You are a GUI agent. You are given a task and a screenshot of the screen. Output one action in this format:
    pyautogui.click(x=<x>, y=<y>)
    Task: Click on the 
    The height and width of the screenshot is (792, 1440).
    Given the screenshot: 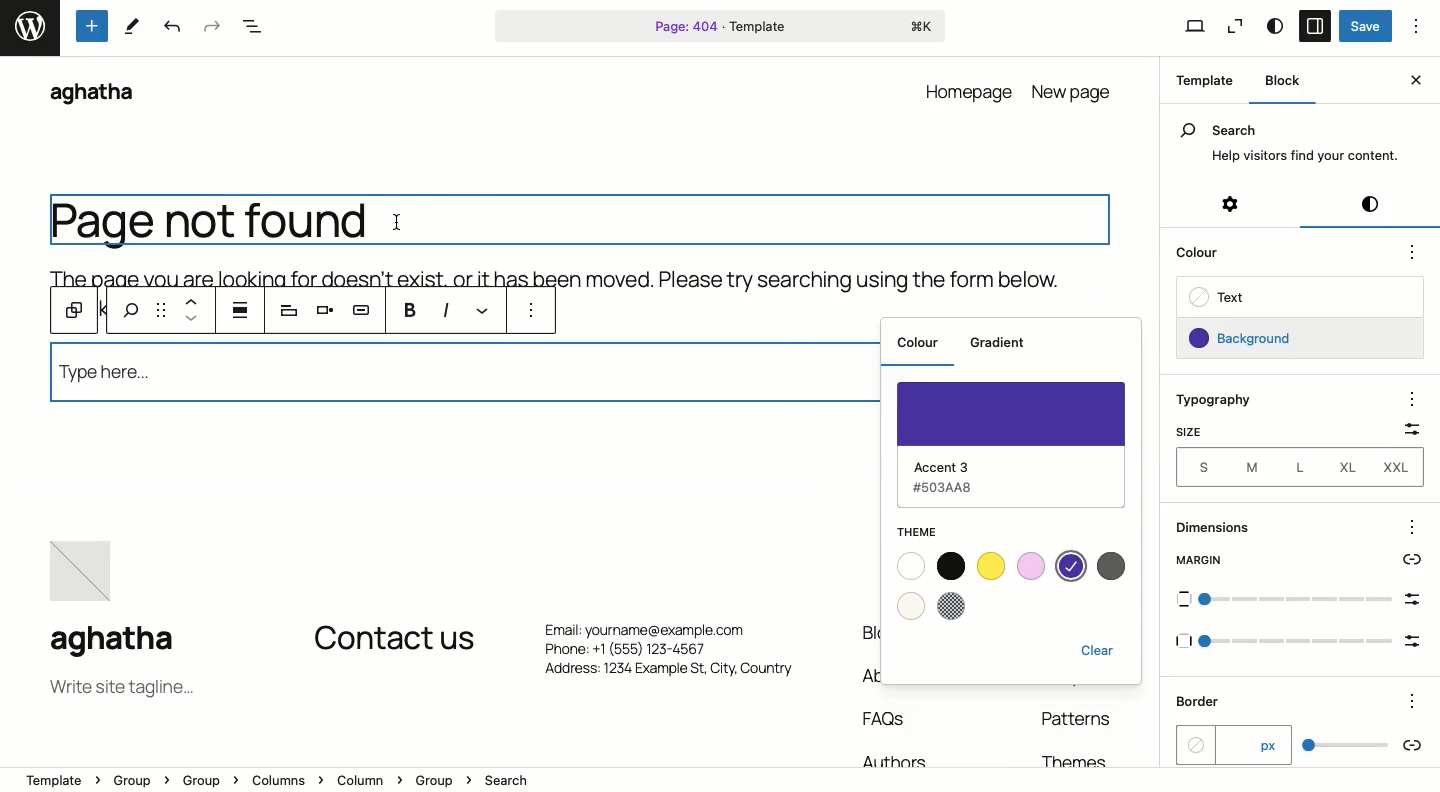 What is the action you would take?
    pyautogui.click(x=1417, y=696)
    